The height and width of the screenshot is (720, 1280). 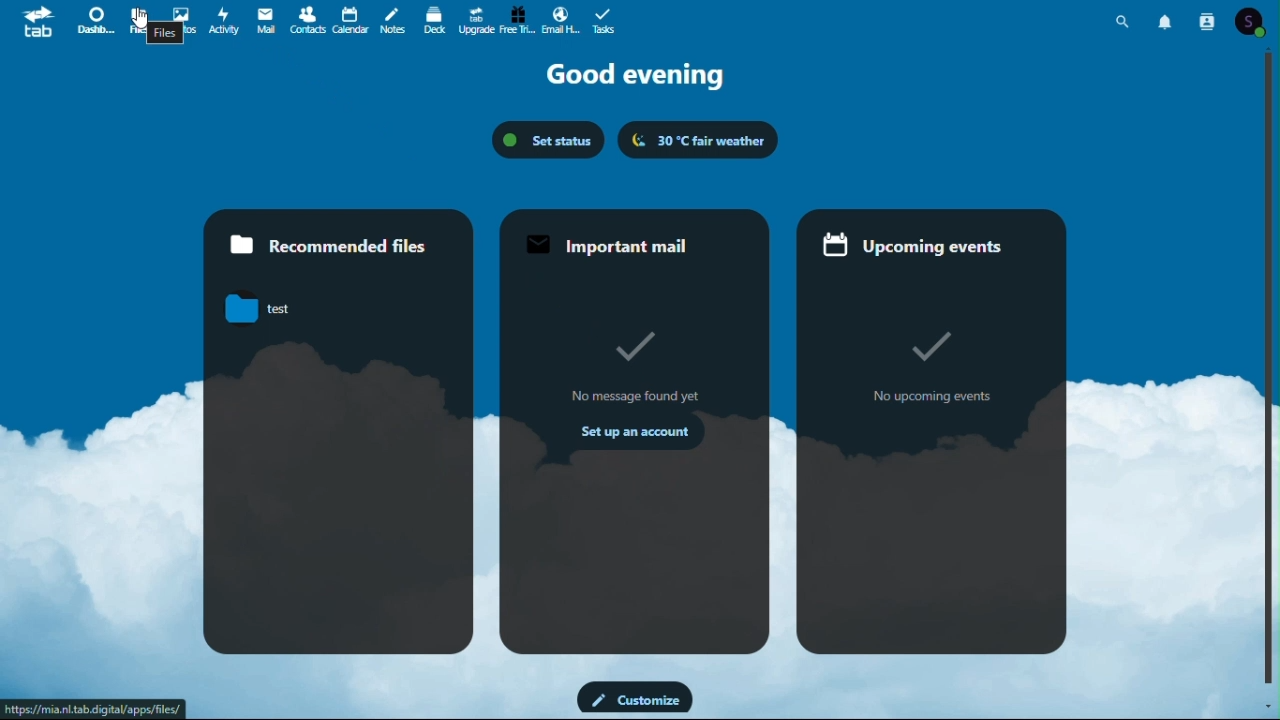 I want to click on email hosting, so click(x=560, y=17).